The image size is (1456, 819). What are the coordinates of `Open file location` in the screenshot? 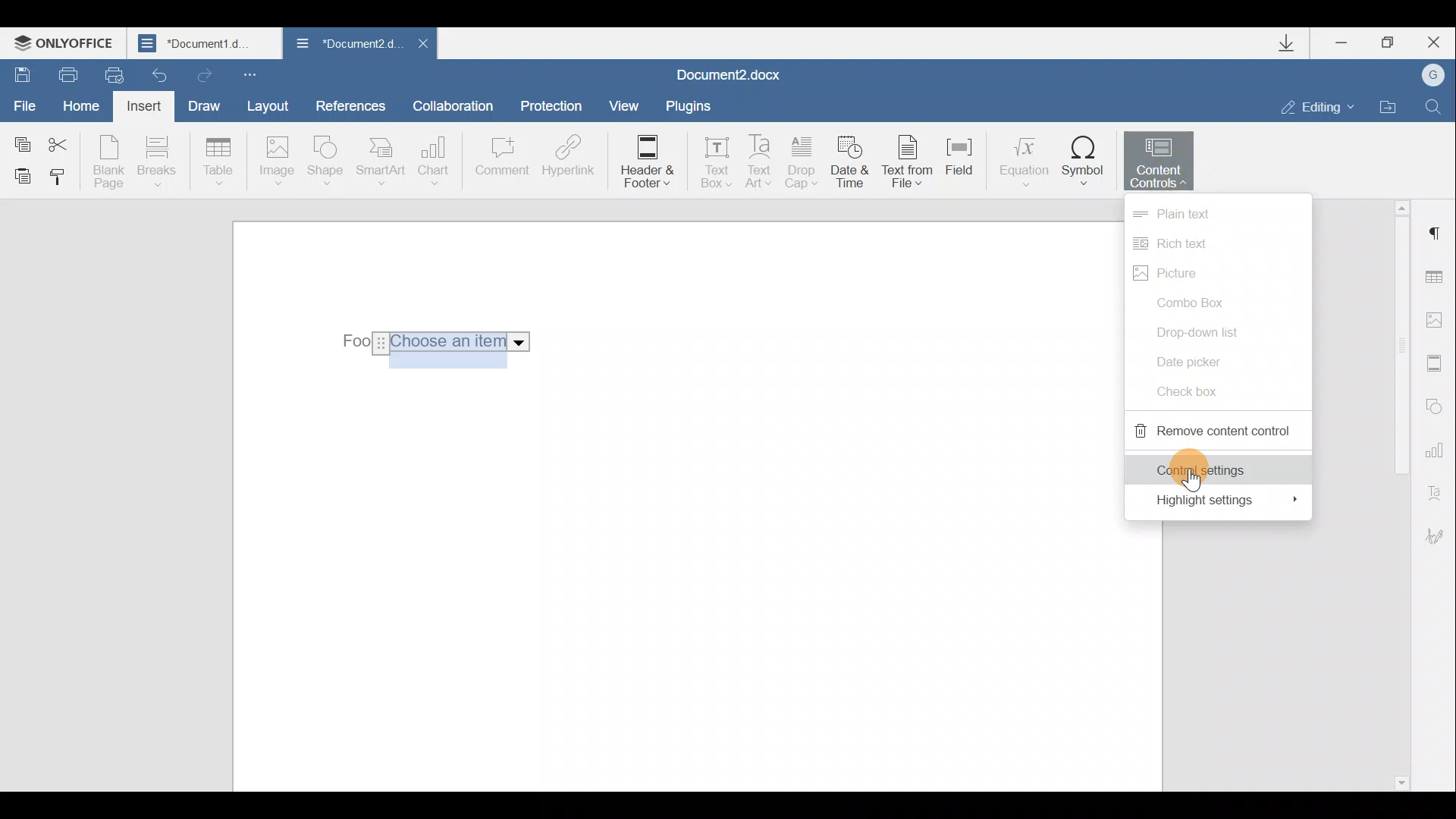 It's located at (1388, 105).